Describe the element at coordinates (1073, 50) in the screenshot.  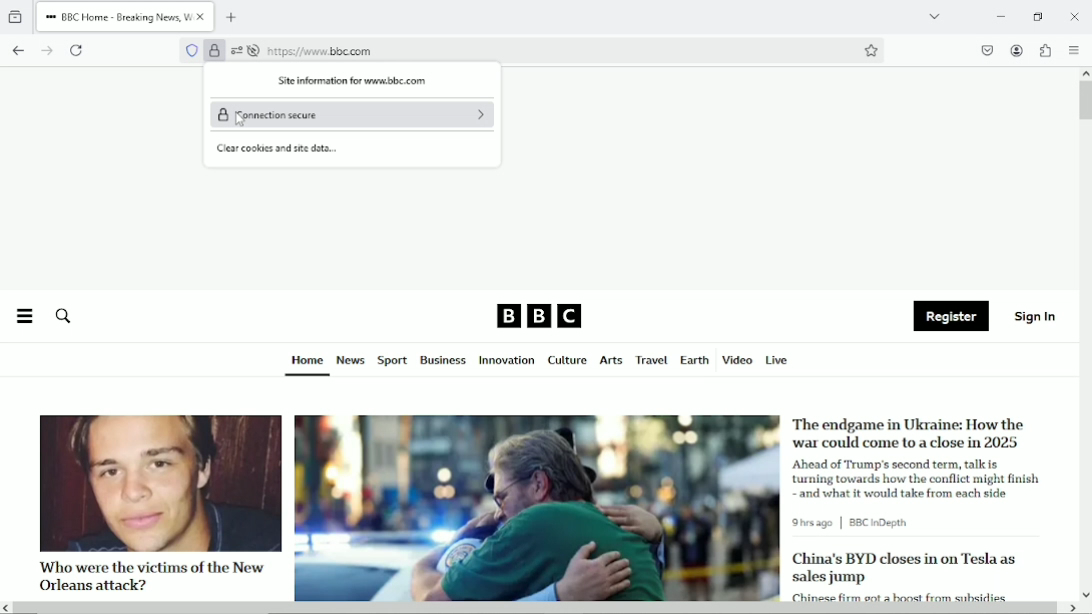
I see `open application menu` at that location.